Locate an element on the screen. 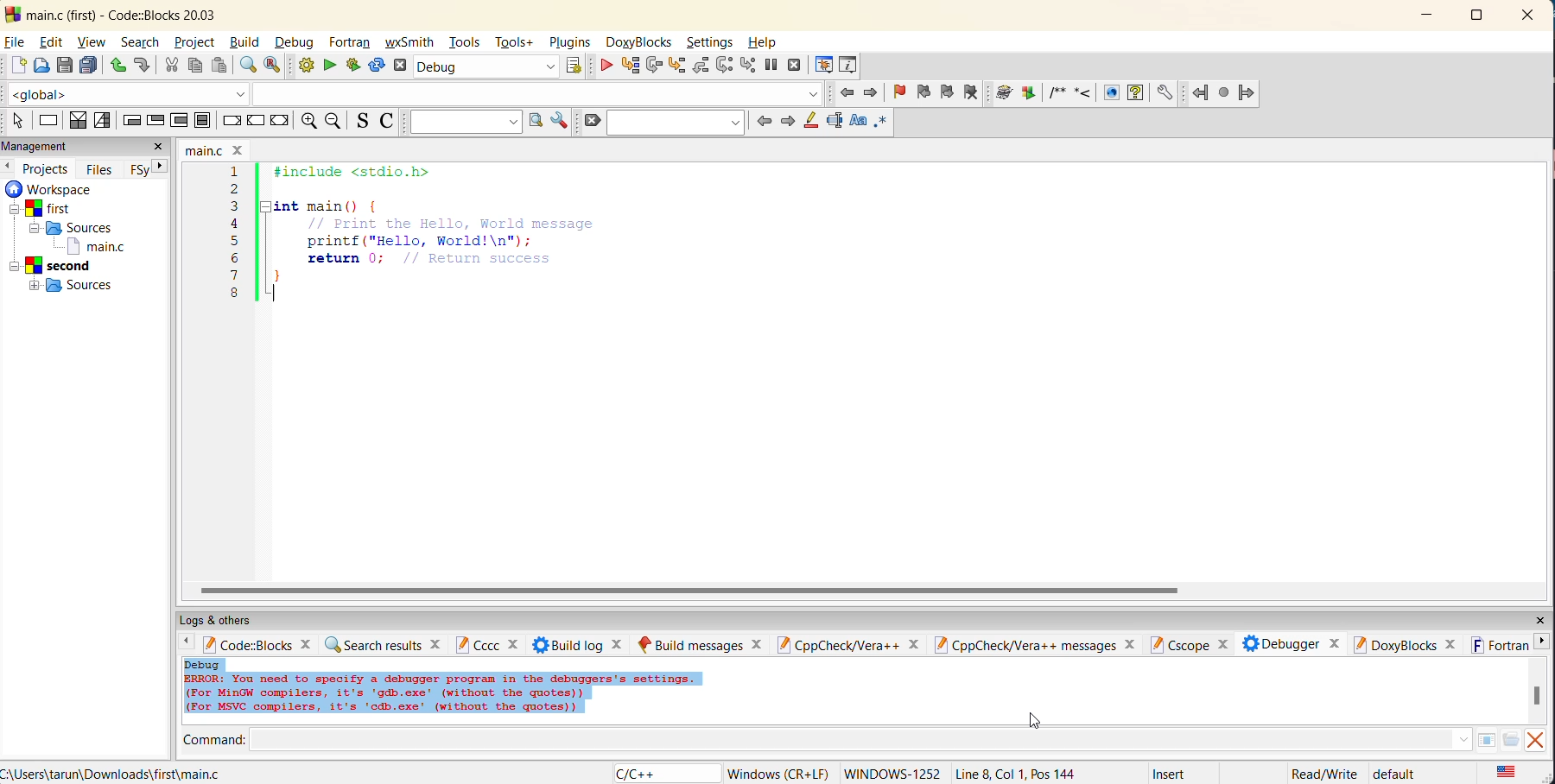 The image size is (1555, 784). selected text is located at coordinates (836, 122).